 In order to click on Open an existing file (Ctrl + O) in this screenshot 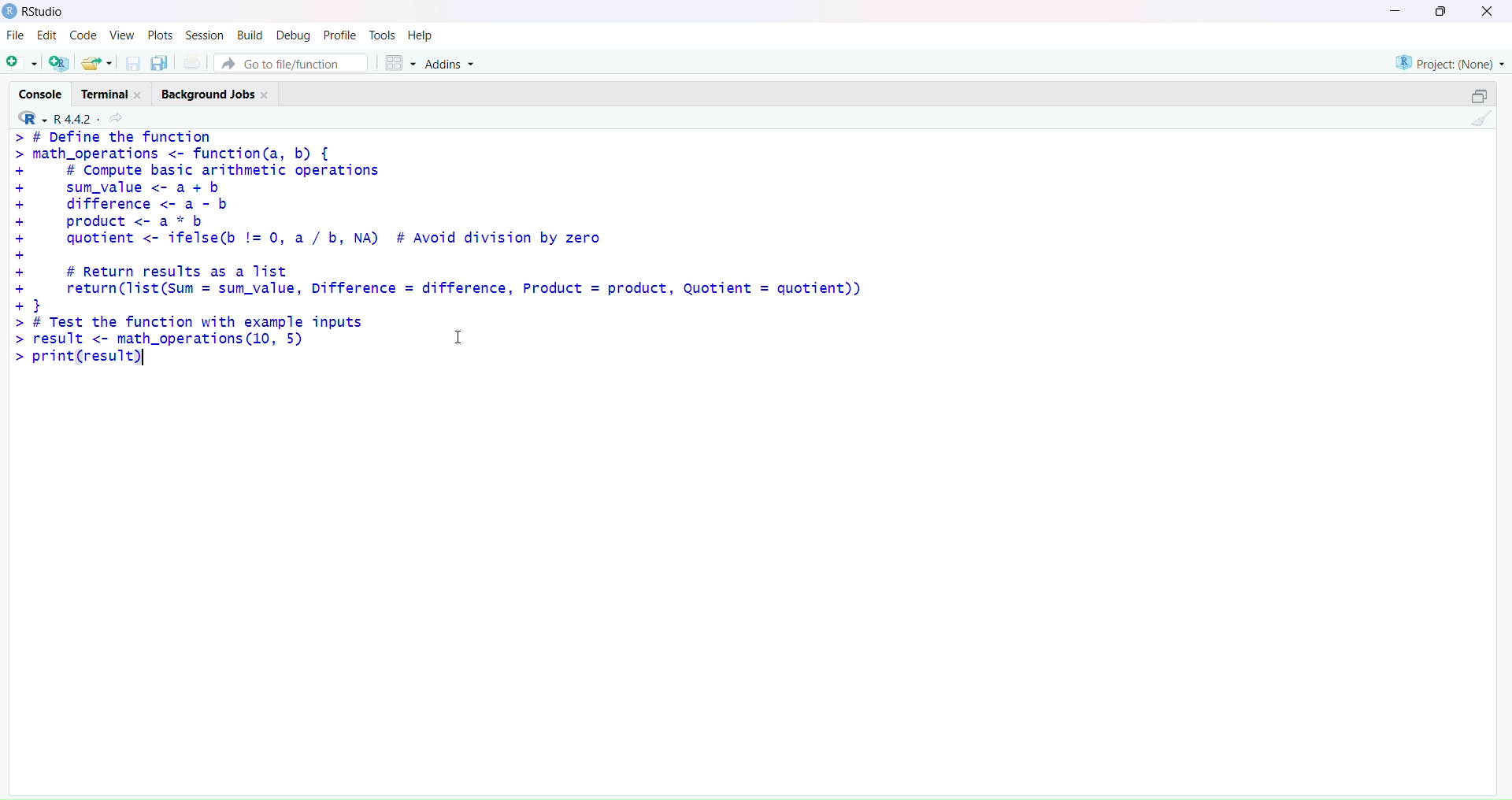, I will do `click(96, 63)`.